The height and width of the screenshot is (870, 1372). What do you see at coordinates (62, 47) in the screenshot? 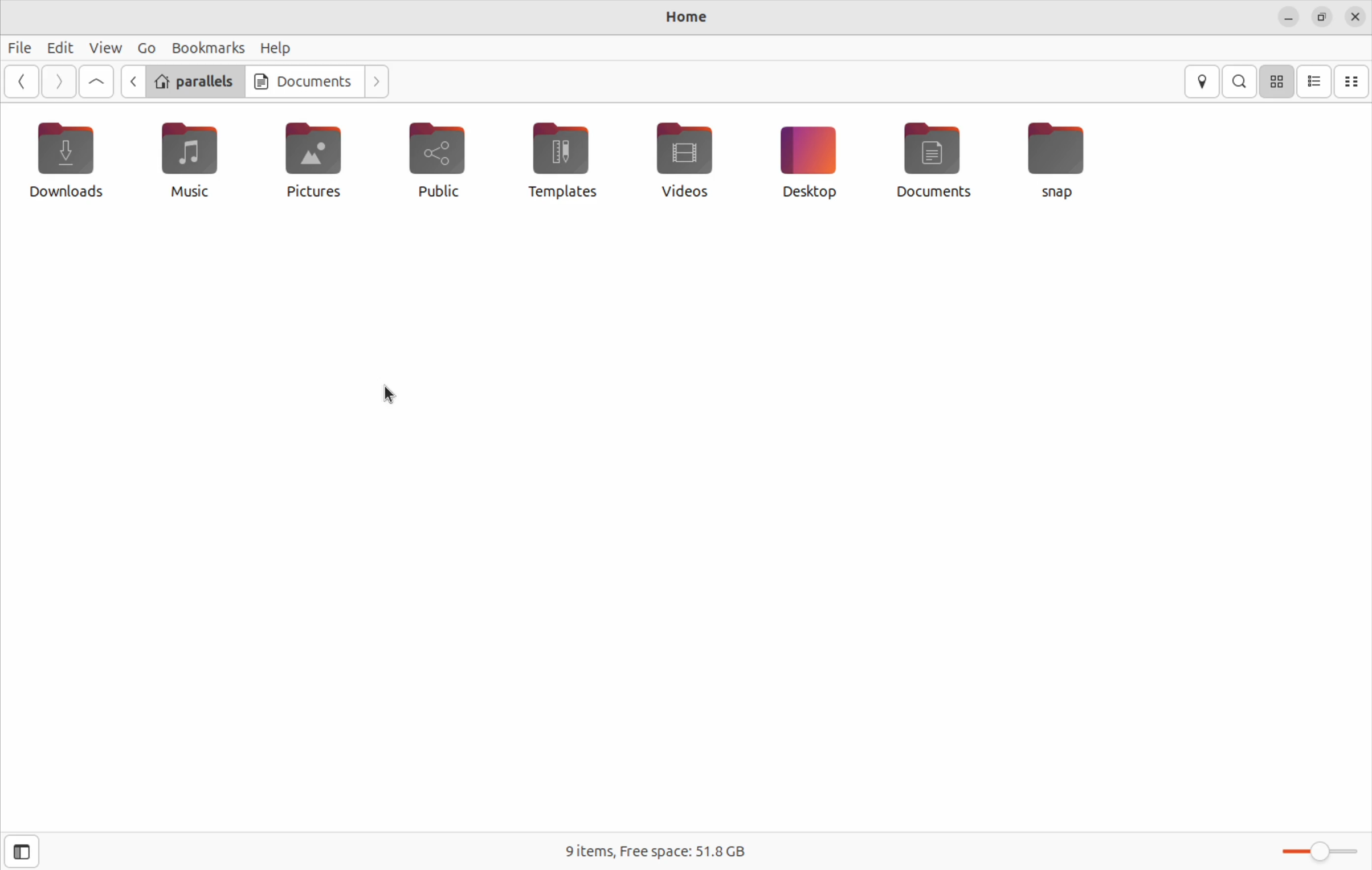
I see `edit` at bounding box center [62, 47].